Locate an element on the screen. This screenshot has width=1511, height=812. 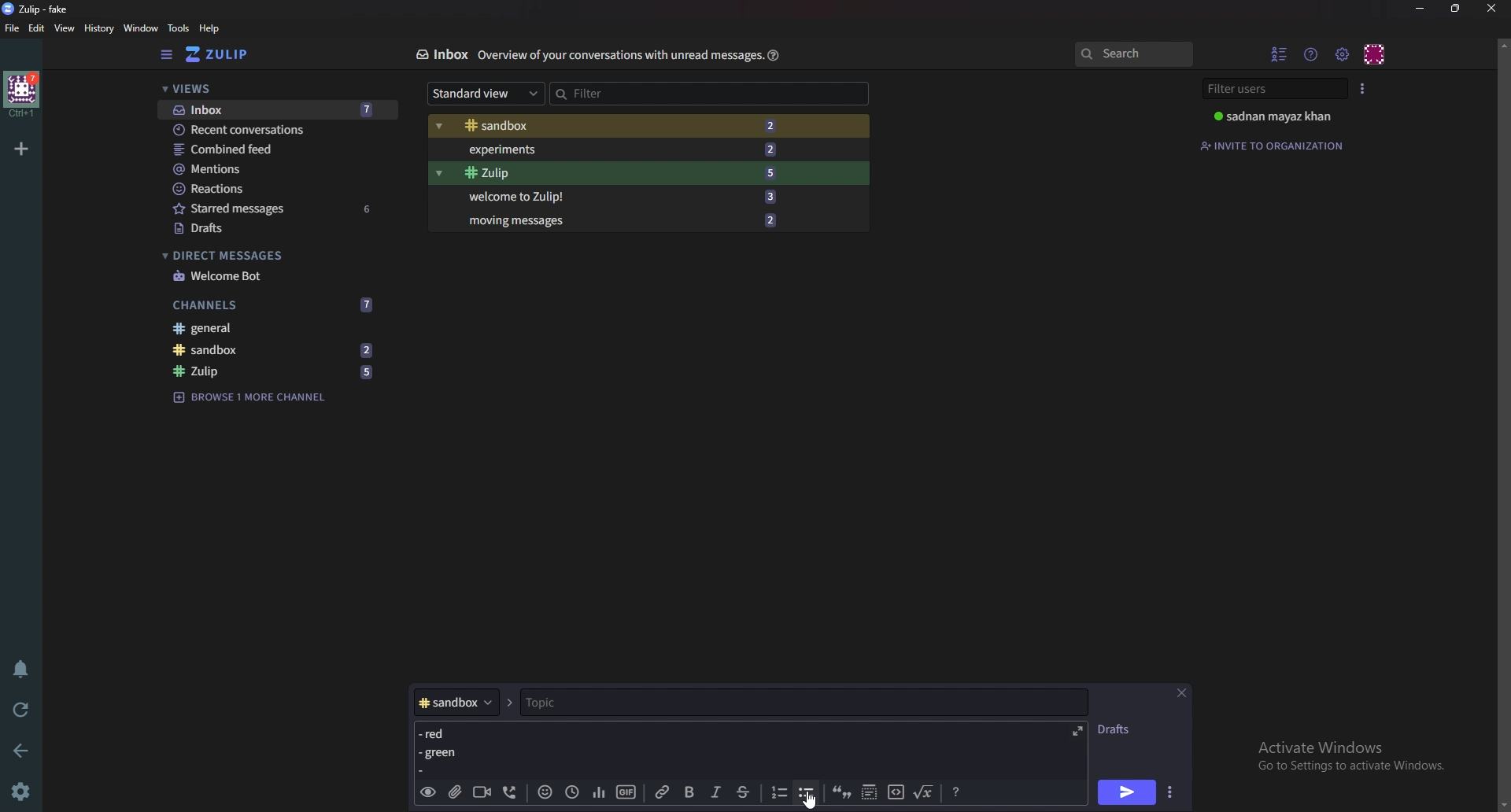
Numbered list is located at coordinates (778, 792).